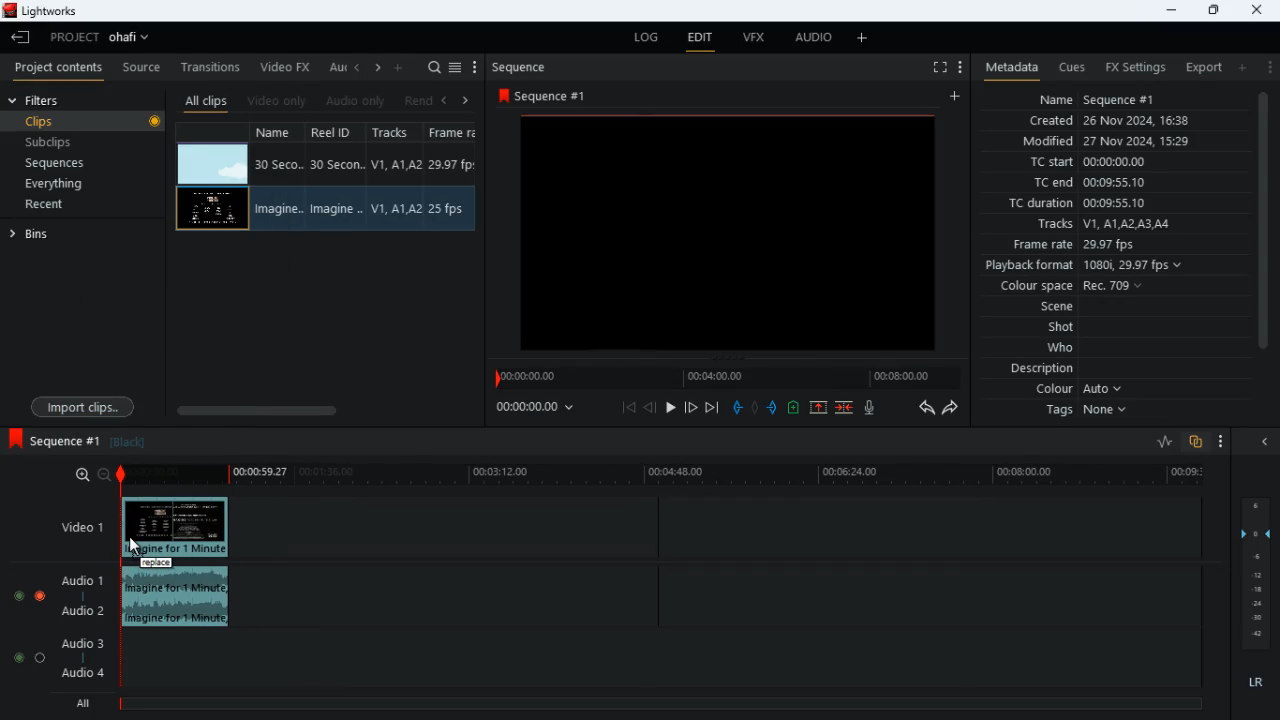 Image resolution: width=1280 pixels, height=720 pixels. What do you see at coordinates (809, 39) in the screenshot?
I see `audio` at bounding box center [809, 39].